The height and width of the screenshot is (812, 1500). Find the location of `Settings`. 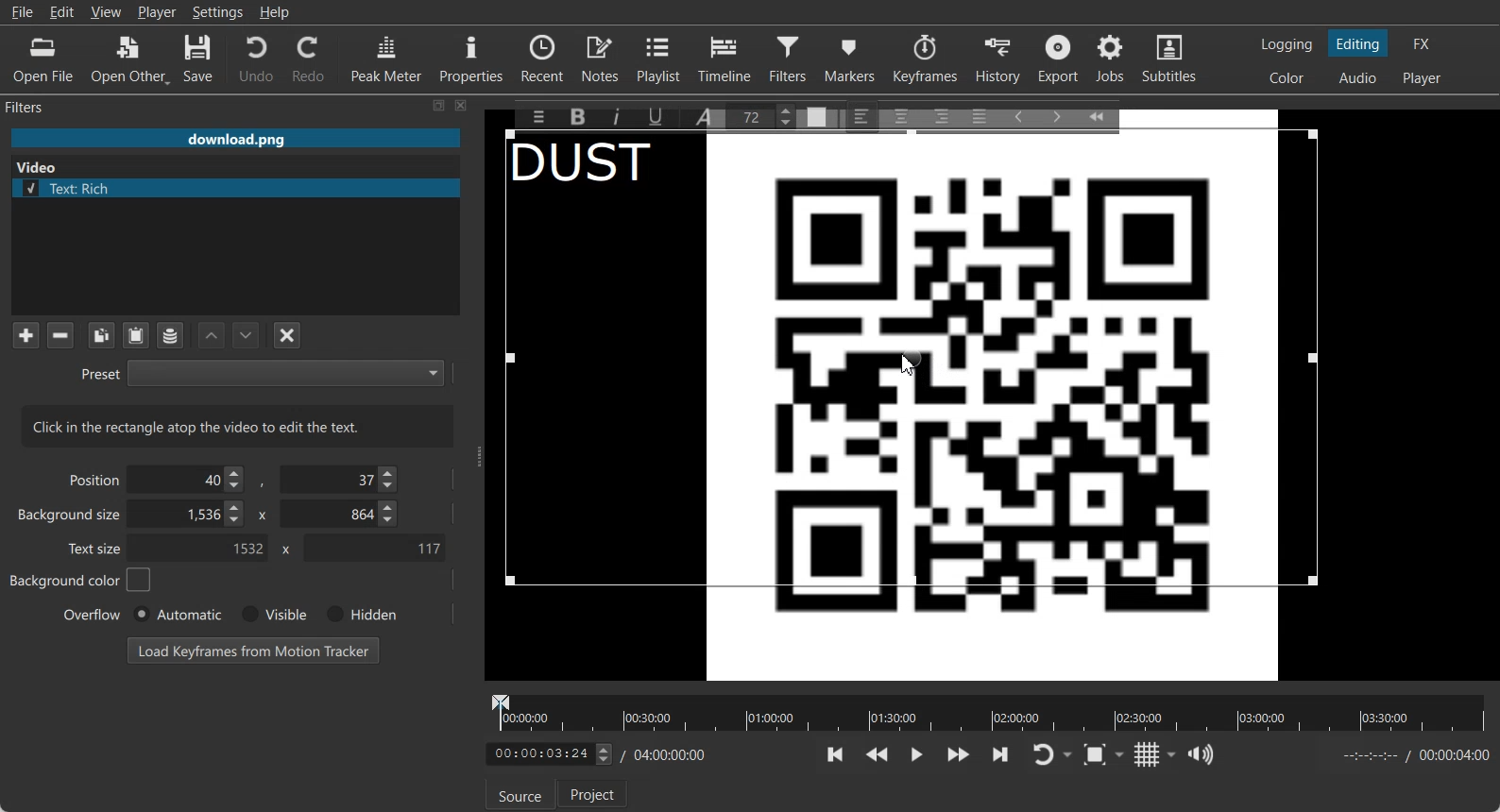

Settings is located at coordinates (218, 12).